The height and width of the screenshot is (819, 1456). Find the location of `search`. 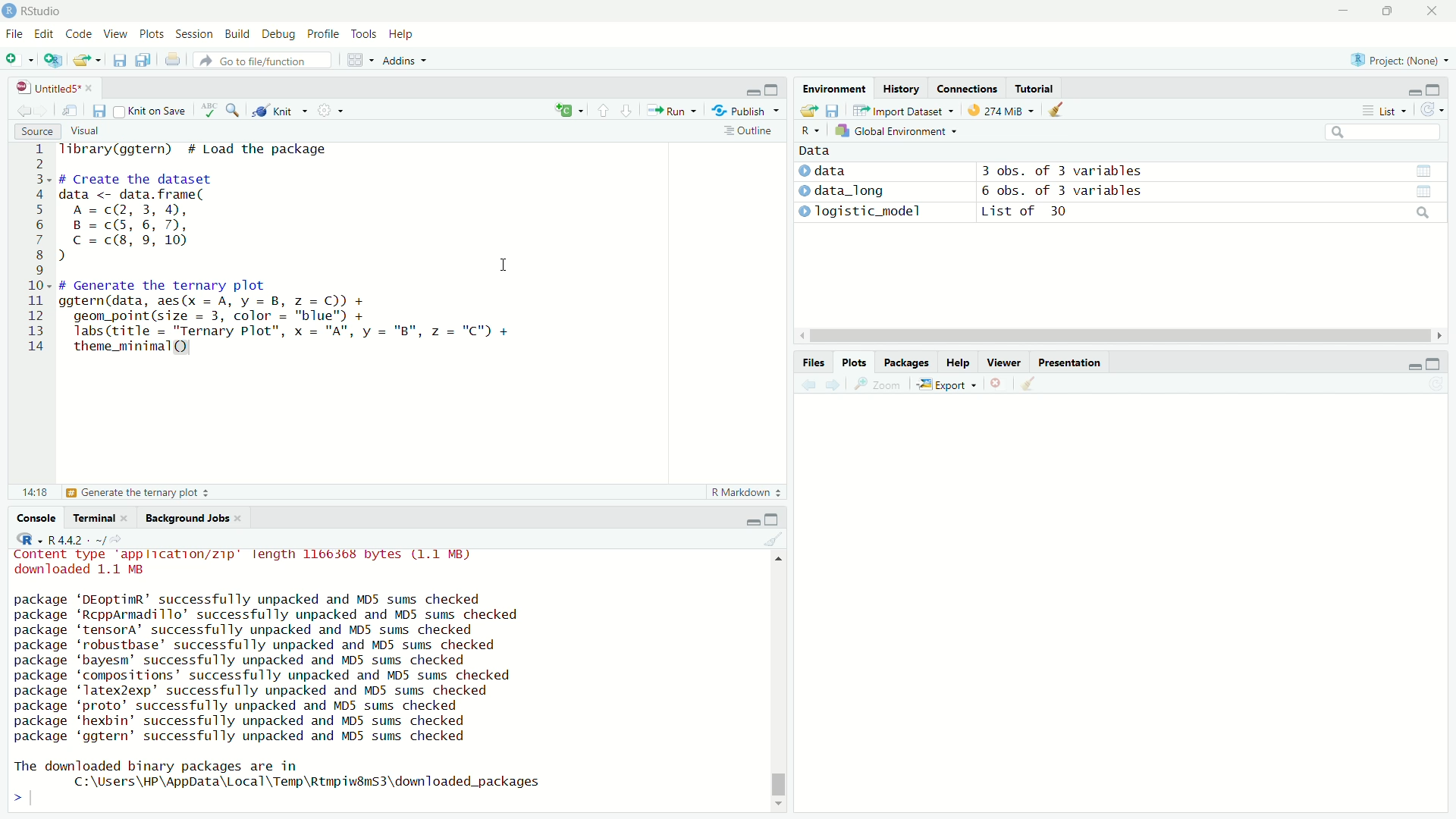

search is located at coordinates (1381, 133).